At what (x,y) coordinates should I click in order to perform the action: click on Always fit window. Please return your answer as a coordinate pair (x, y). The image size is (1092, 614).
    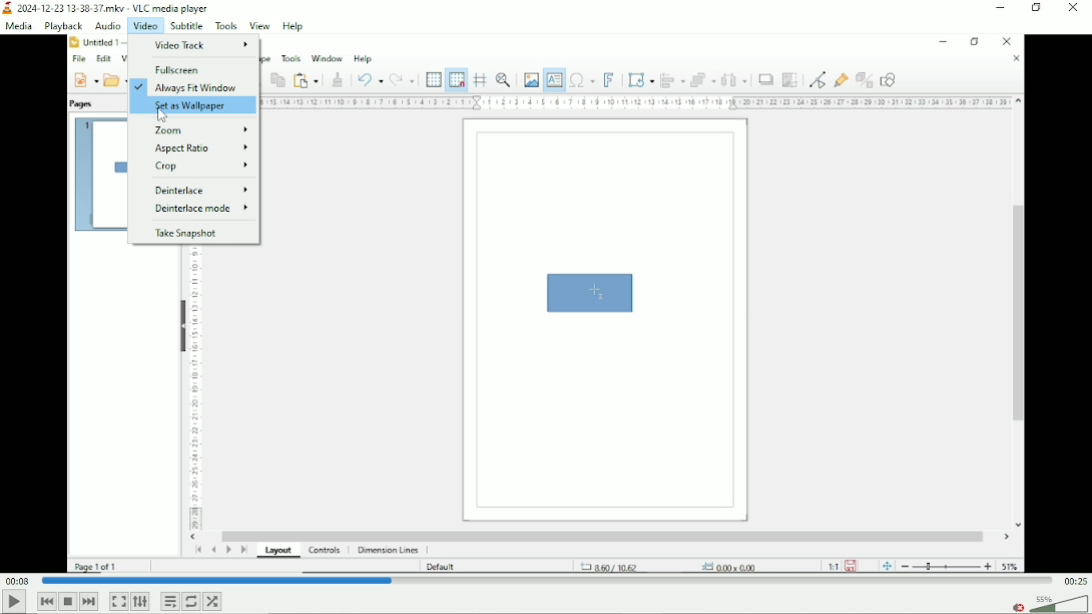
    Looking at the image, I should click on (191, 87).